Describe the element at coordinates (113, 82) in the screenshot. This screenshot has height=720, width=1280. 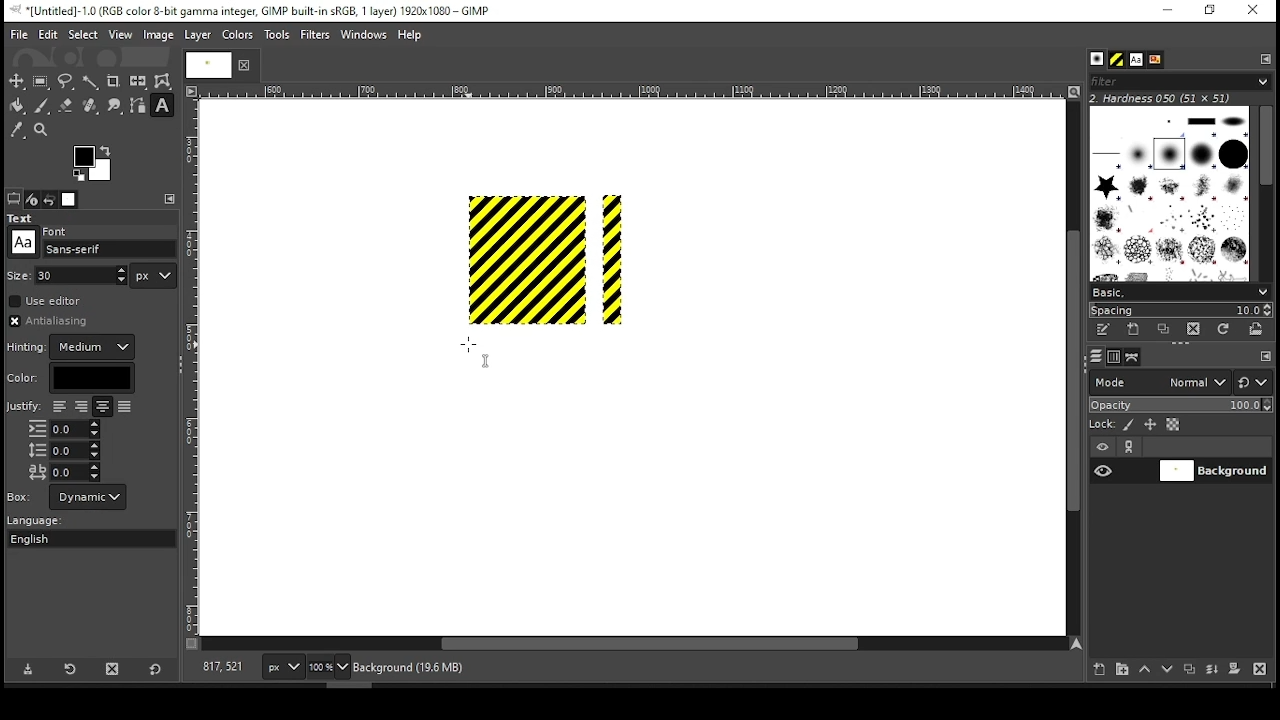
I see `crop  tool` at that location.